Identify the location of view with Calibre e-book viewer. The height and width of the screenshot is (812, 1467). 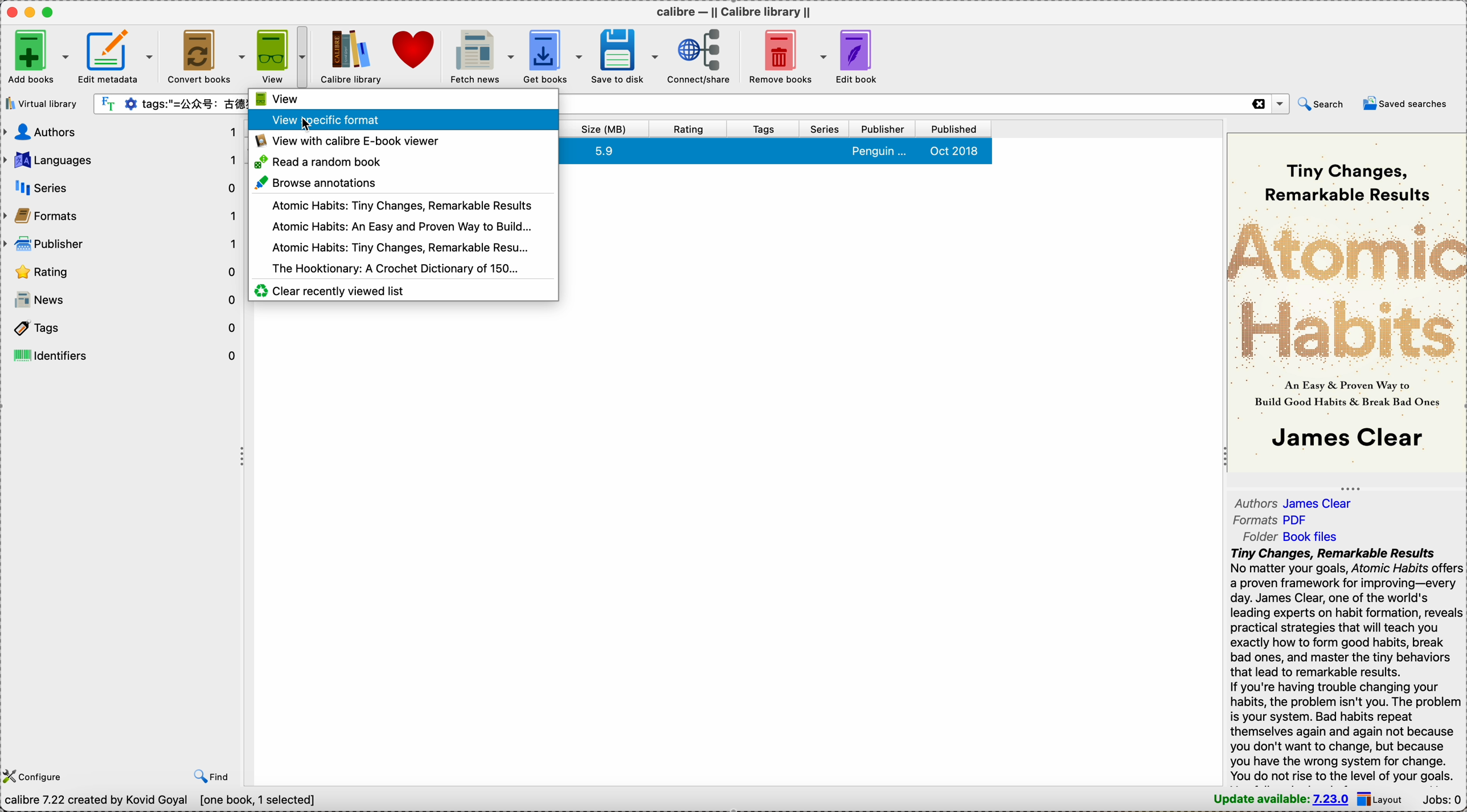
(346, 139).